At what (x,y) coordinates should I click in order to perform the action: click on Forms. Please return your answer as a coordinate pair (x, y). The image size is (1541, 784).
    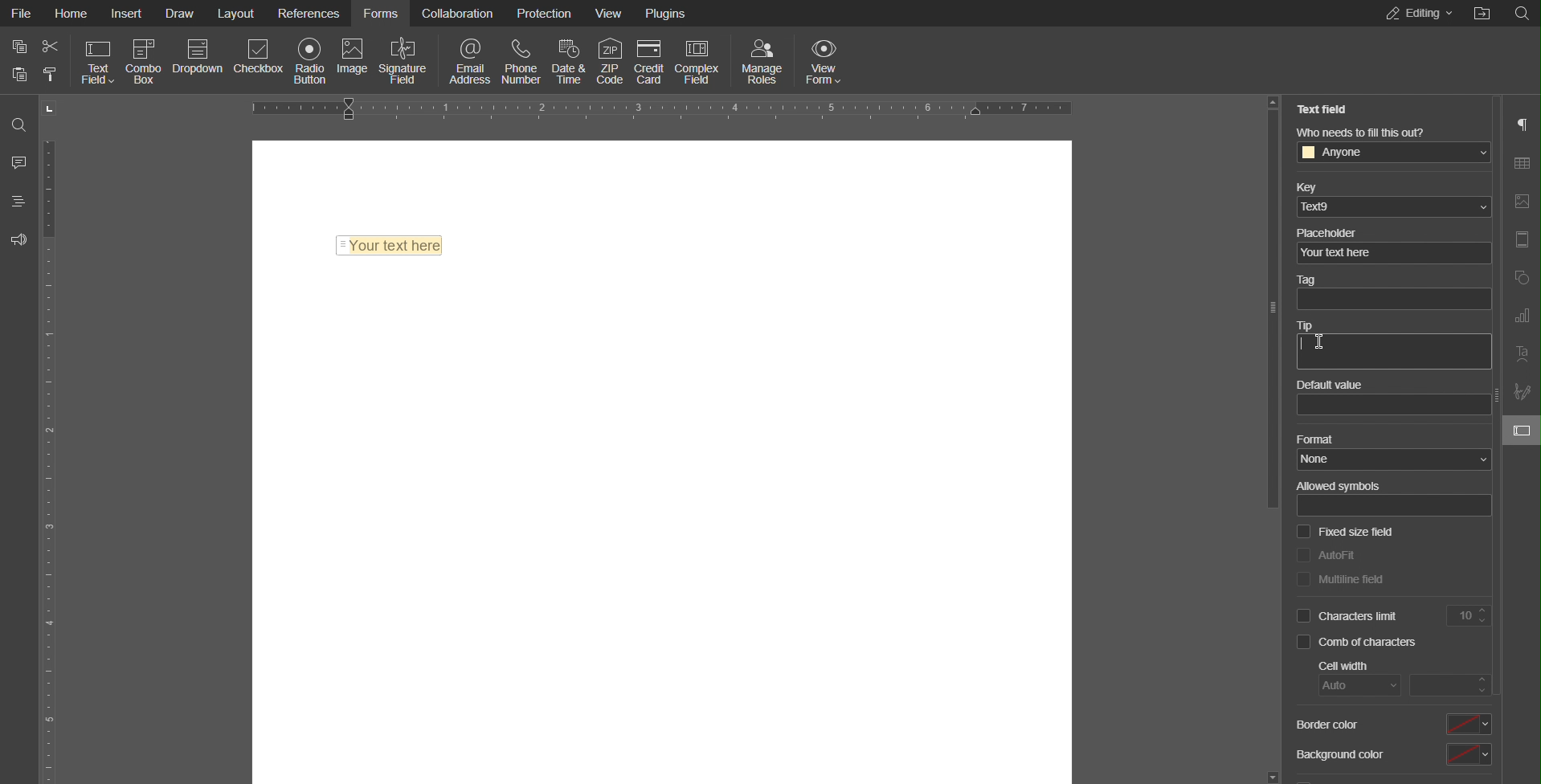
    Looking at the image, I should click on (379, 13).